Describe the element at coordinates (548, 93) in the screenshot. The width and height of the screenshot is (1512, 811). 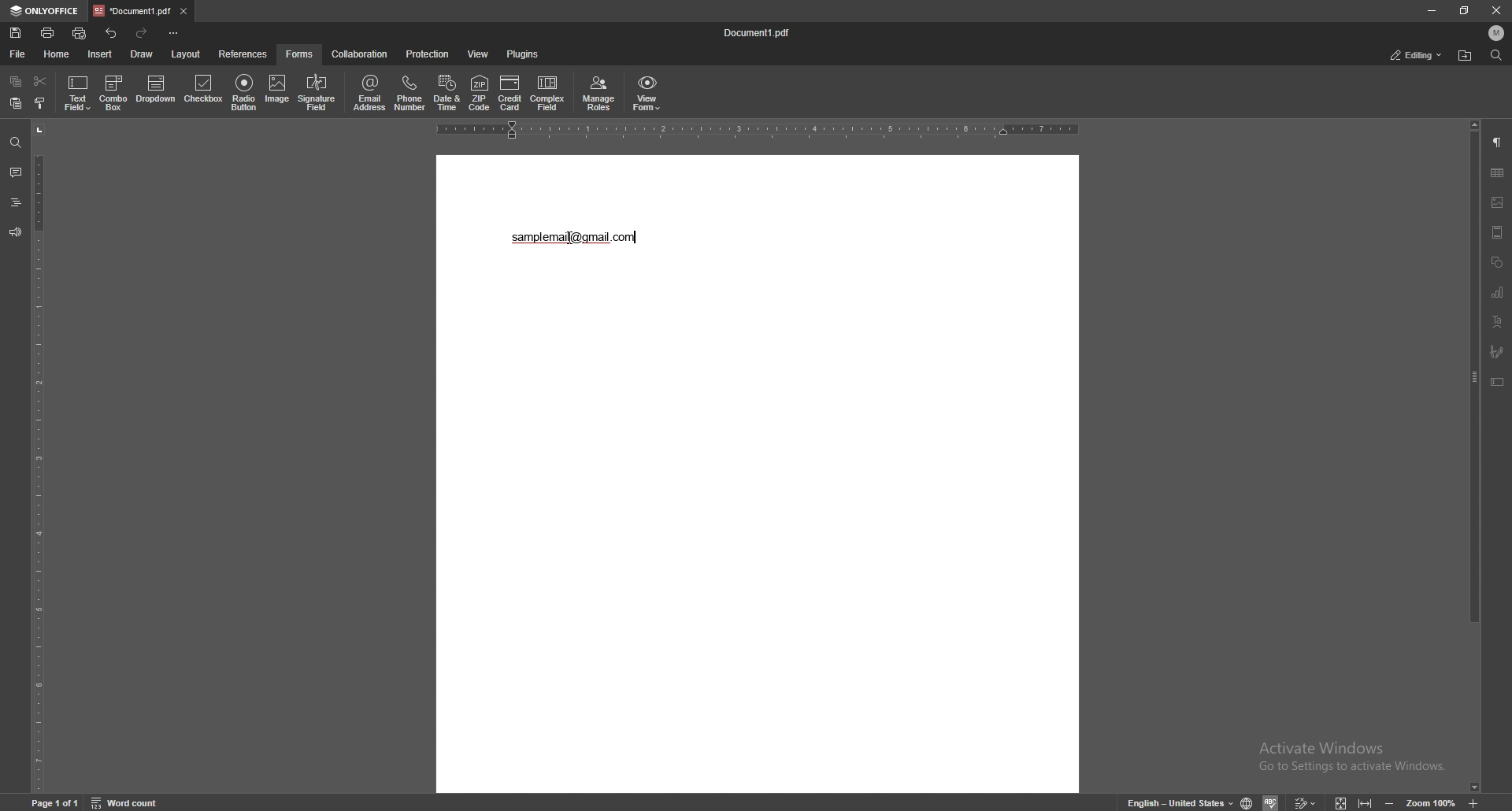
I see `complex field` at that location.